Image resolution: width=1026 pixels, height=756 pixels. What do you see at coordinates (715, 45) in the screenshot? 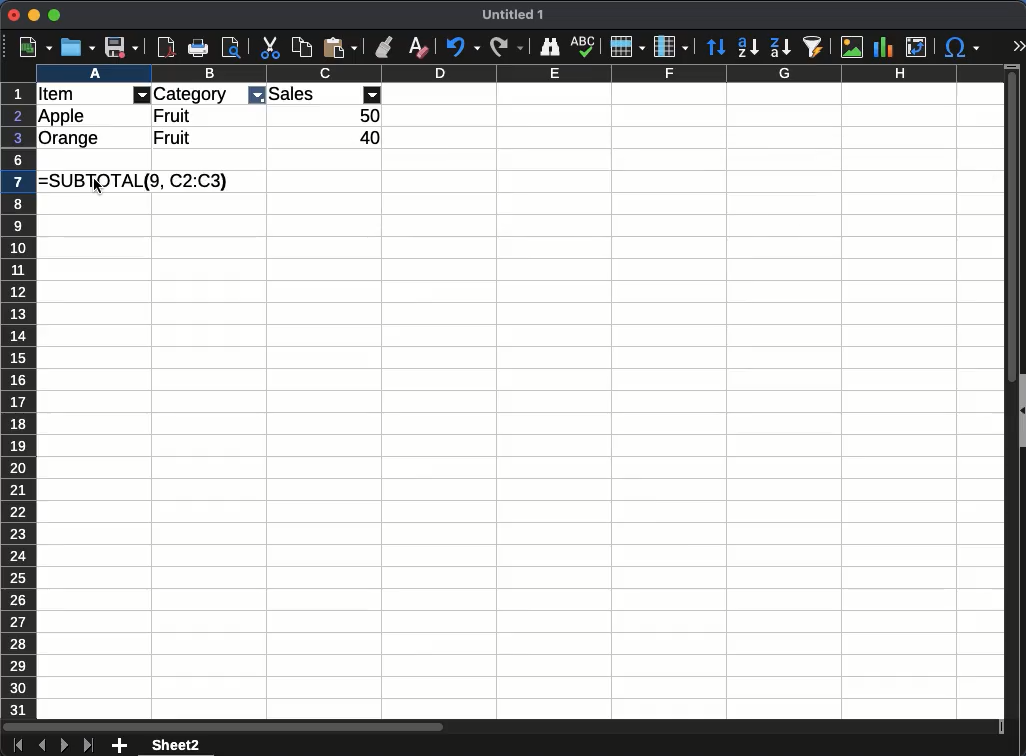
I see `sort` at bounding box center [715, 45].